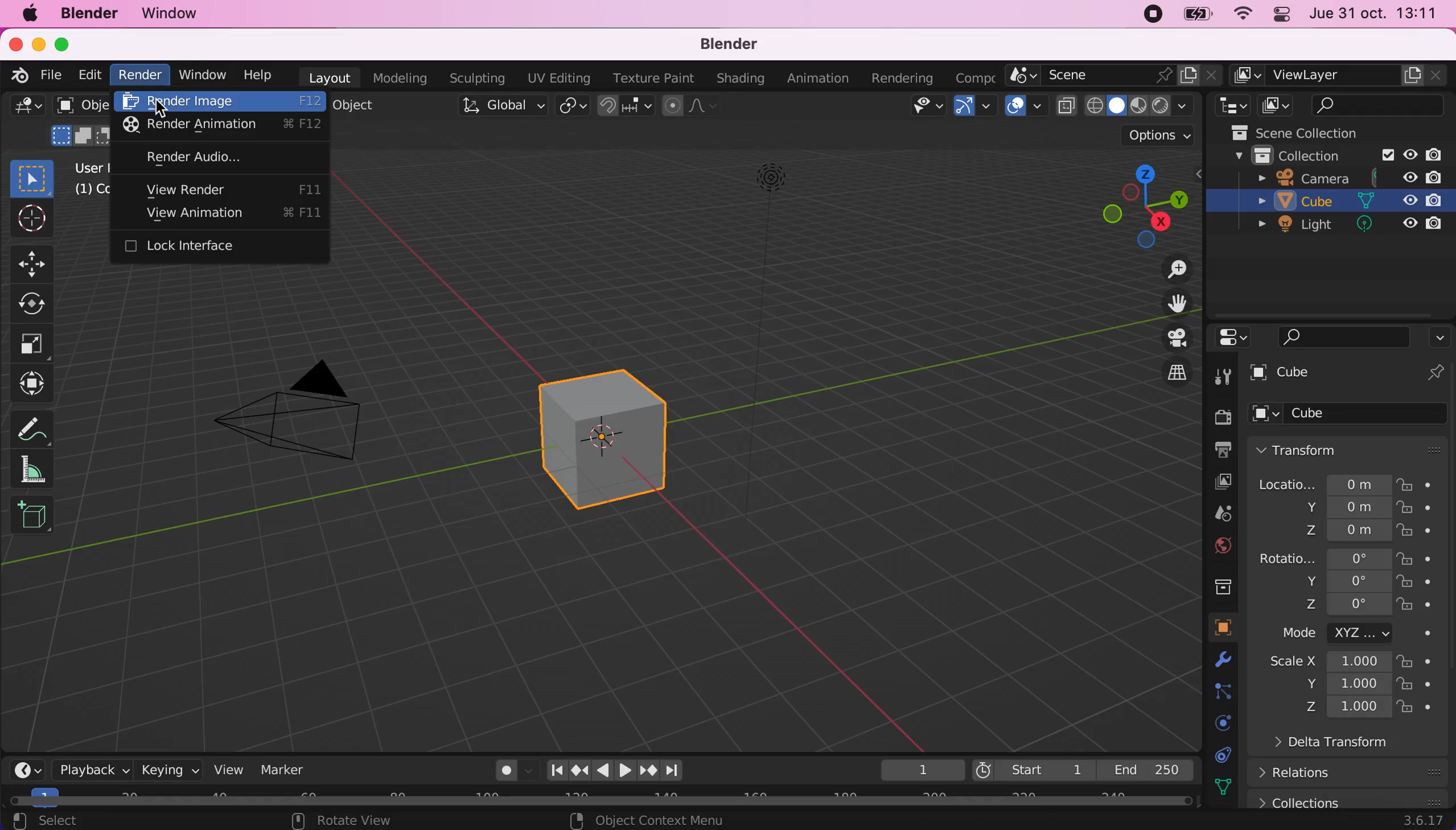  I want to click on blender, so click(15, 75).